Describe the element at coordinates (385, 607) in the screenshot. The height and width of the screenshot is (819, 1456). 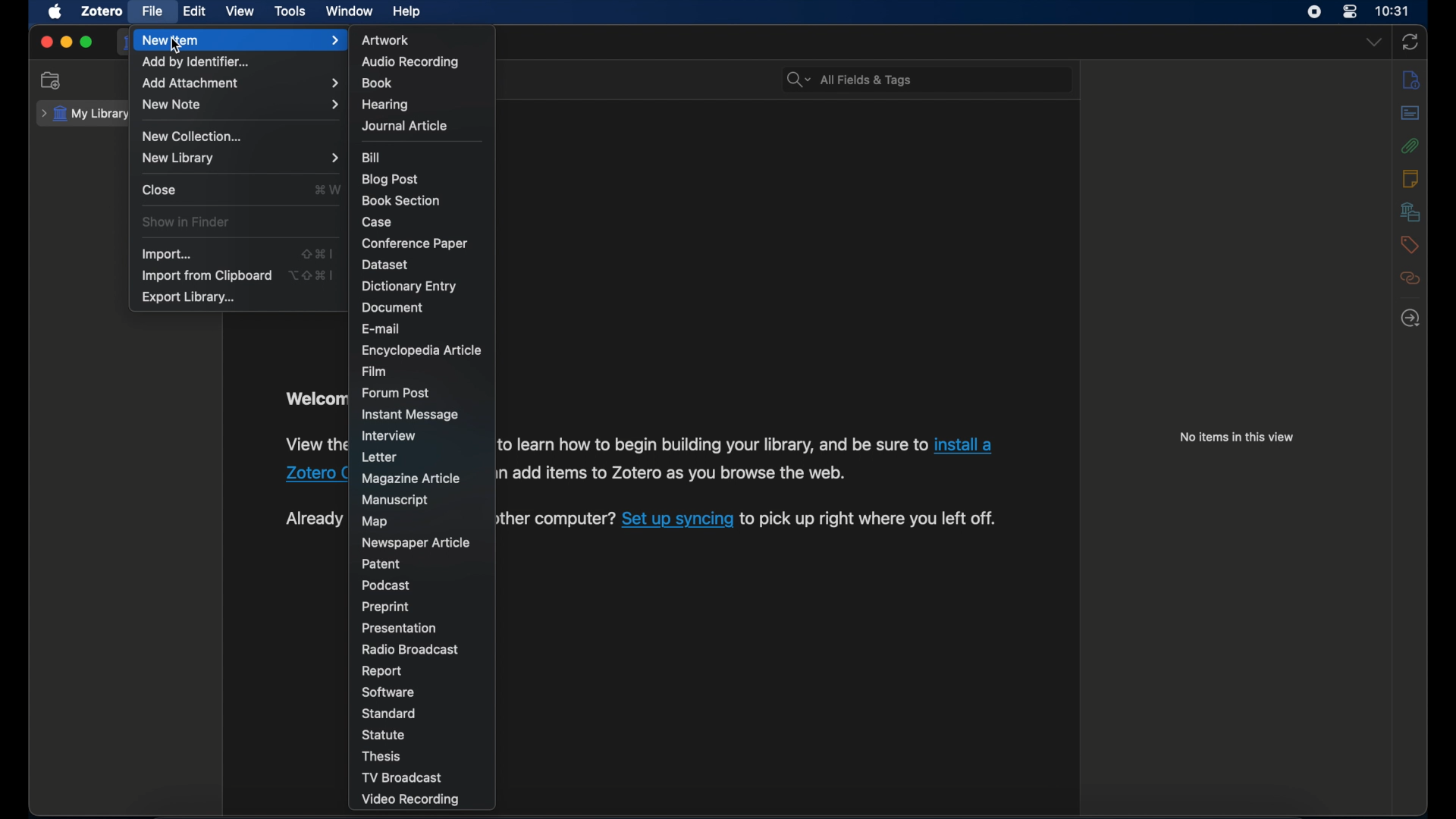
I see `preprint` at that location.